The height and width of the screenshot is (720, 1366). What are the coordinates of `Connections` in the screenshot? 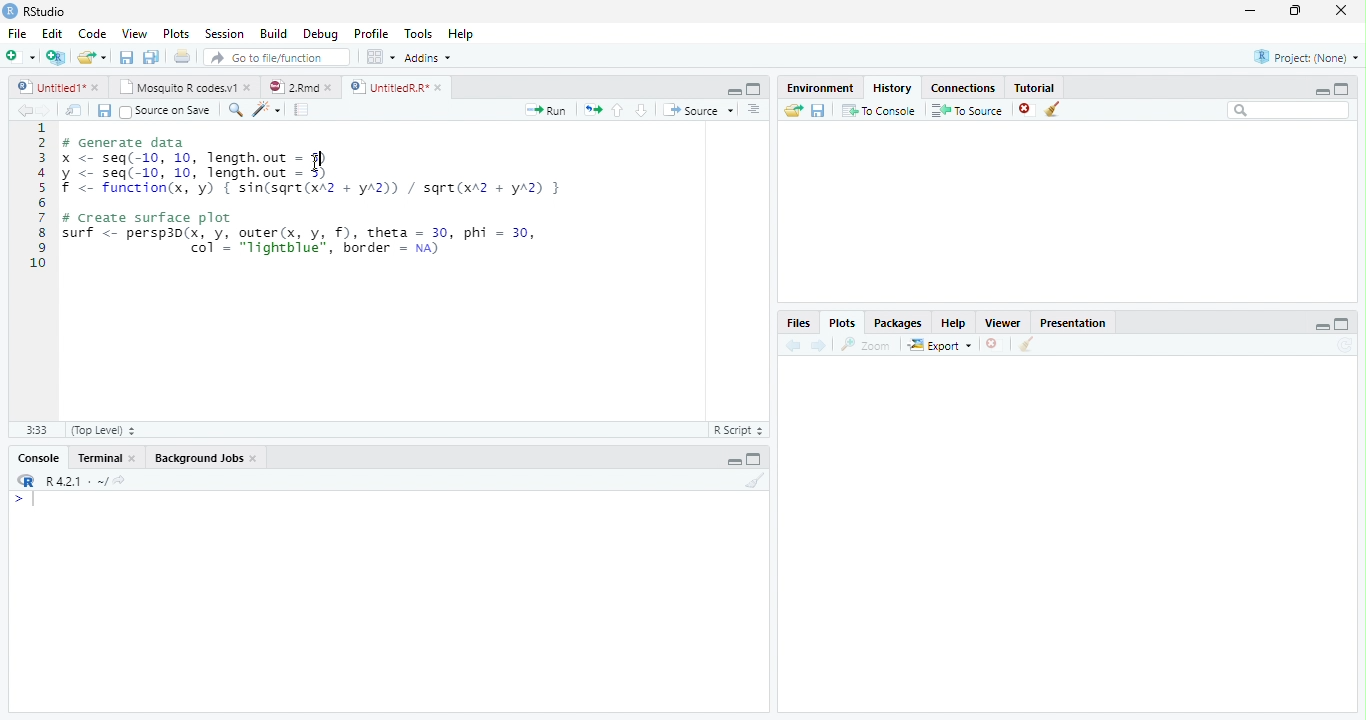 It's located at (963, 87).